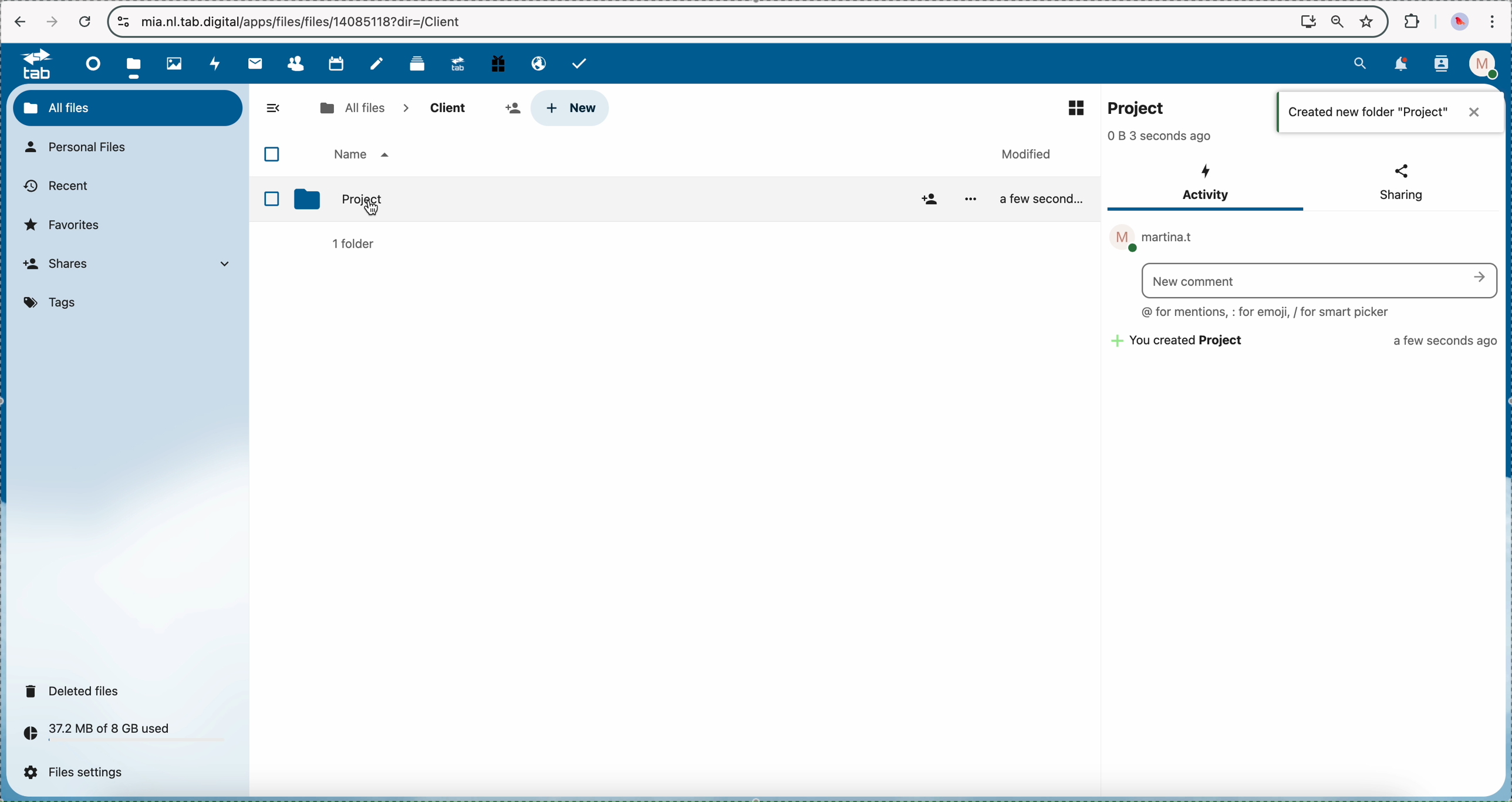 This screenshot has width=1512, height=802. Describe the element at coordinates (1399, 65) in the screenshot. I see `notifications` at that location.